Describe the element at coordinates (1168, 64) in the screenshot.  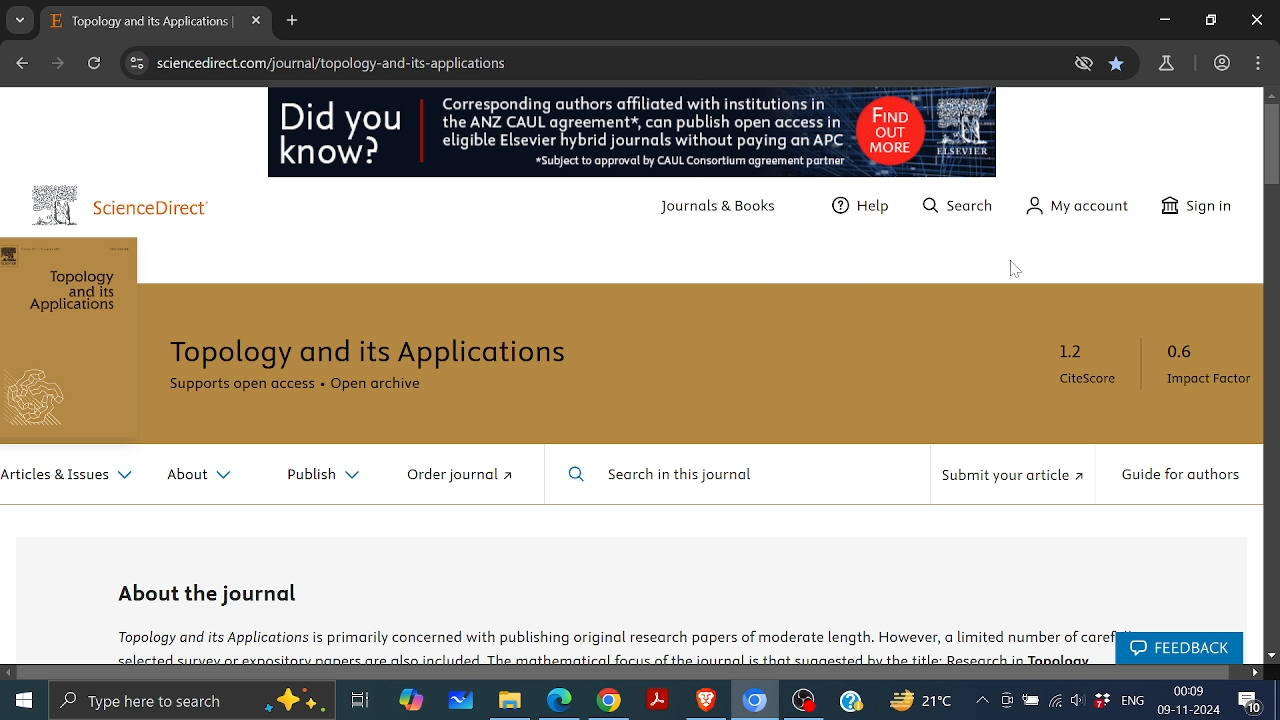
I see `Labs` at that location.